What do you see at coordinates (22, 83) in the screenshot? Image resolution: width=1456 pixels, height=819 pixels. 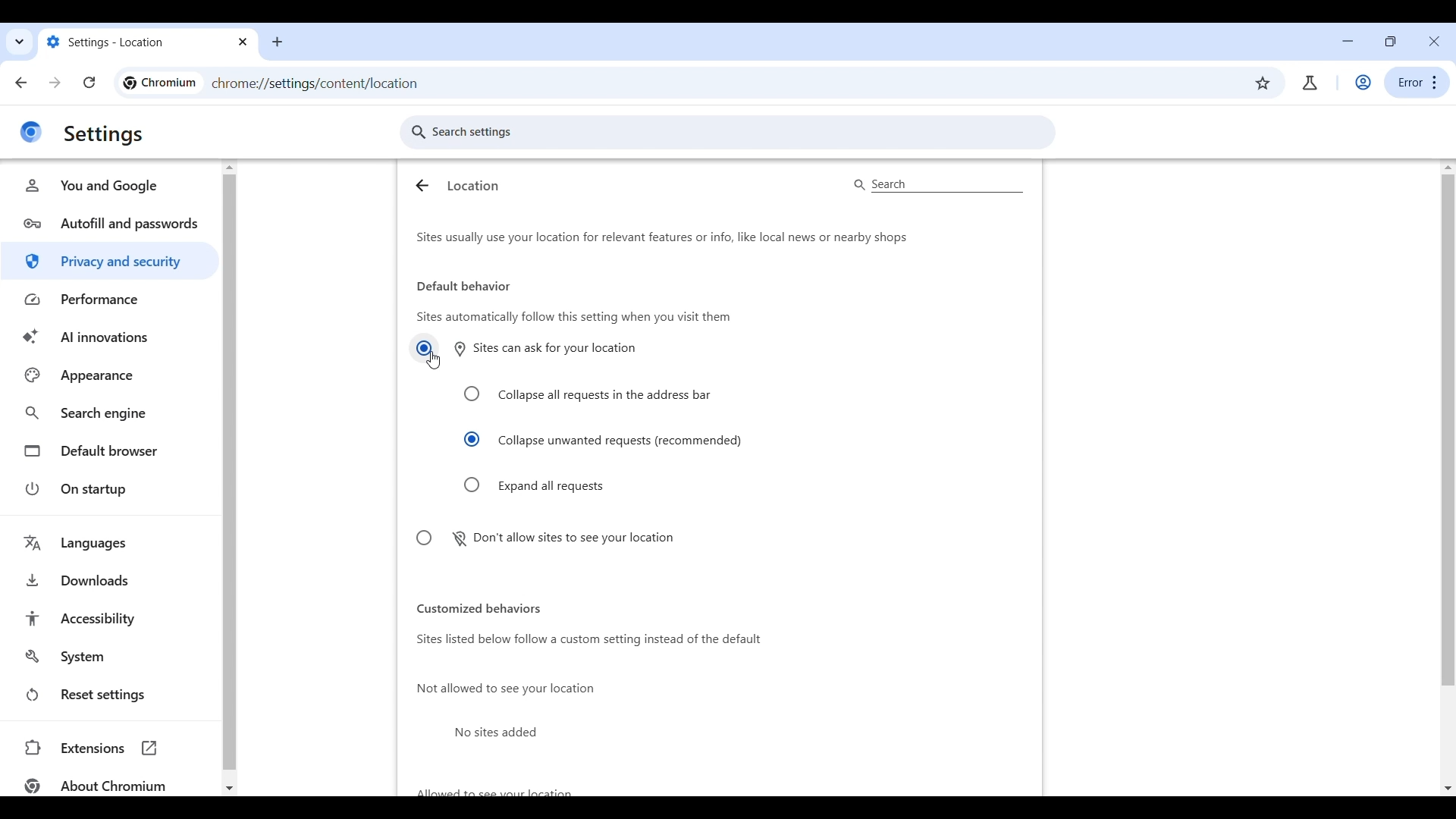 I see `Go back` at bounding box center [22, 83].